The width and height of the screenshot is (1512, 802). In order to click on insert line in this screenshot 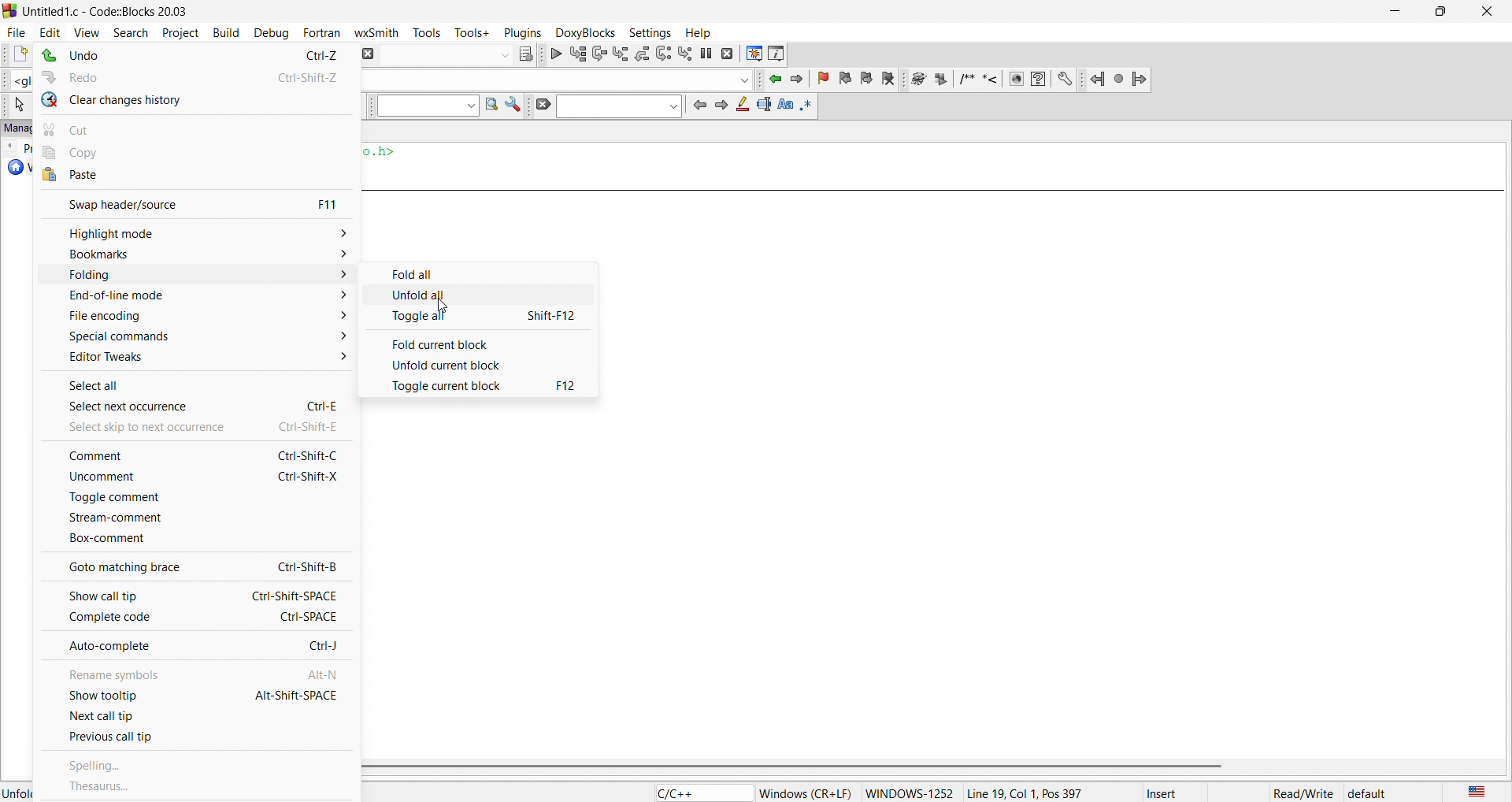, I will do `click(993, 79)`.